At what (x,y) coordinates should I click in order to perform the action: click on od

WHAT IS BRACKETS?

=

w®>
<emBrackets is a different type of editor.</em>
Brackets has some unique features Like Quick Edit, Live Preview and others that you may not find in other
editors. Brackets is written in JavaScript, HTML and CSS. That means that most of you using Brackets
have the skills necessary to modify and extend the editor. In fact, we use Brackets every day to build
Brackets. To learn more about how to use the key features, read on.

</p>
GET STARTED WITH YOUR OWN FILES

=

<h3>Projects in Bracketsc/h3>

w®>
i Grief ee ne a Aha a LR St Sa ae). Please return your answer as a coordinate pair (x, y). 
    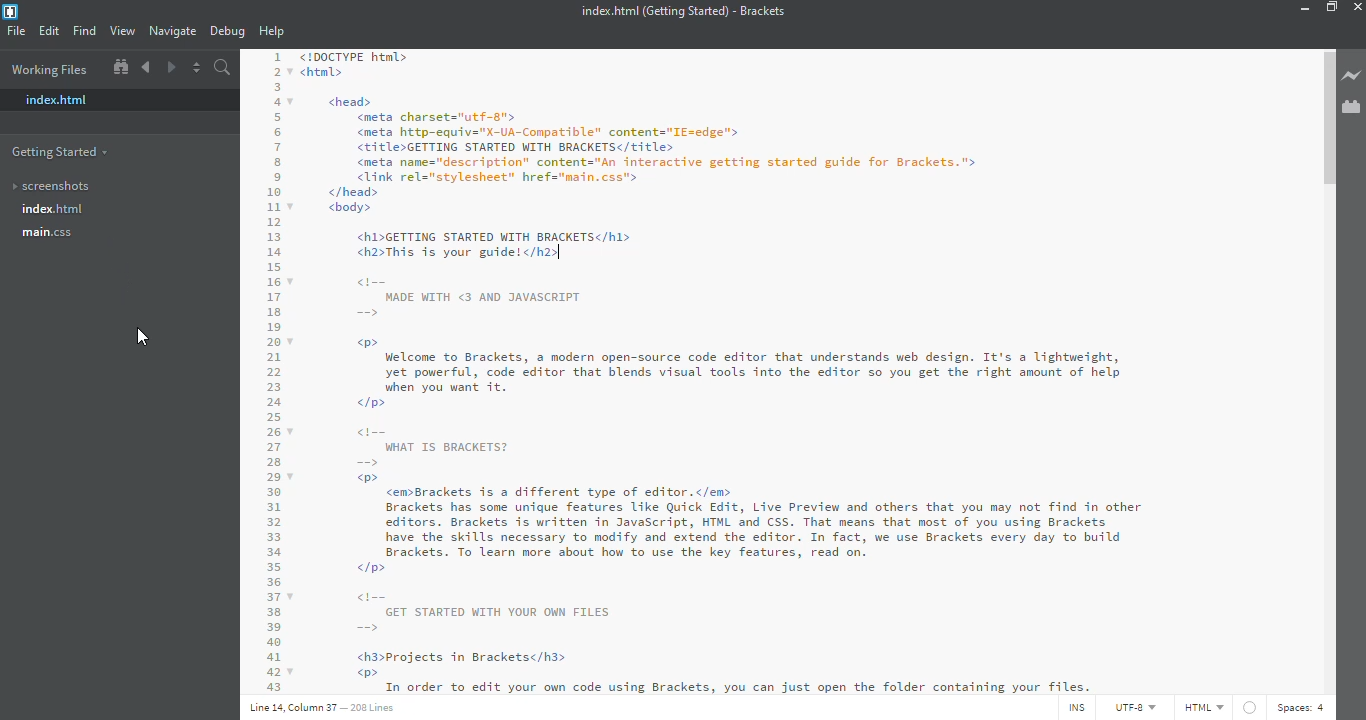
    Looking at the image, I should click on (748, 546).